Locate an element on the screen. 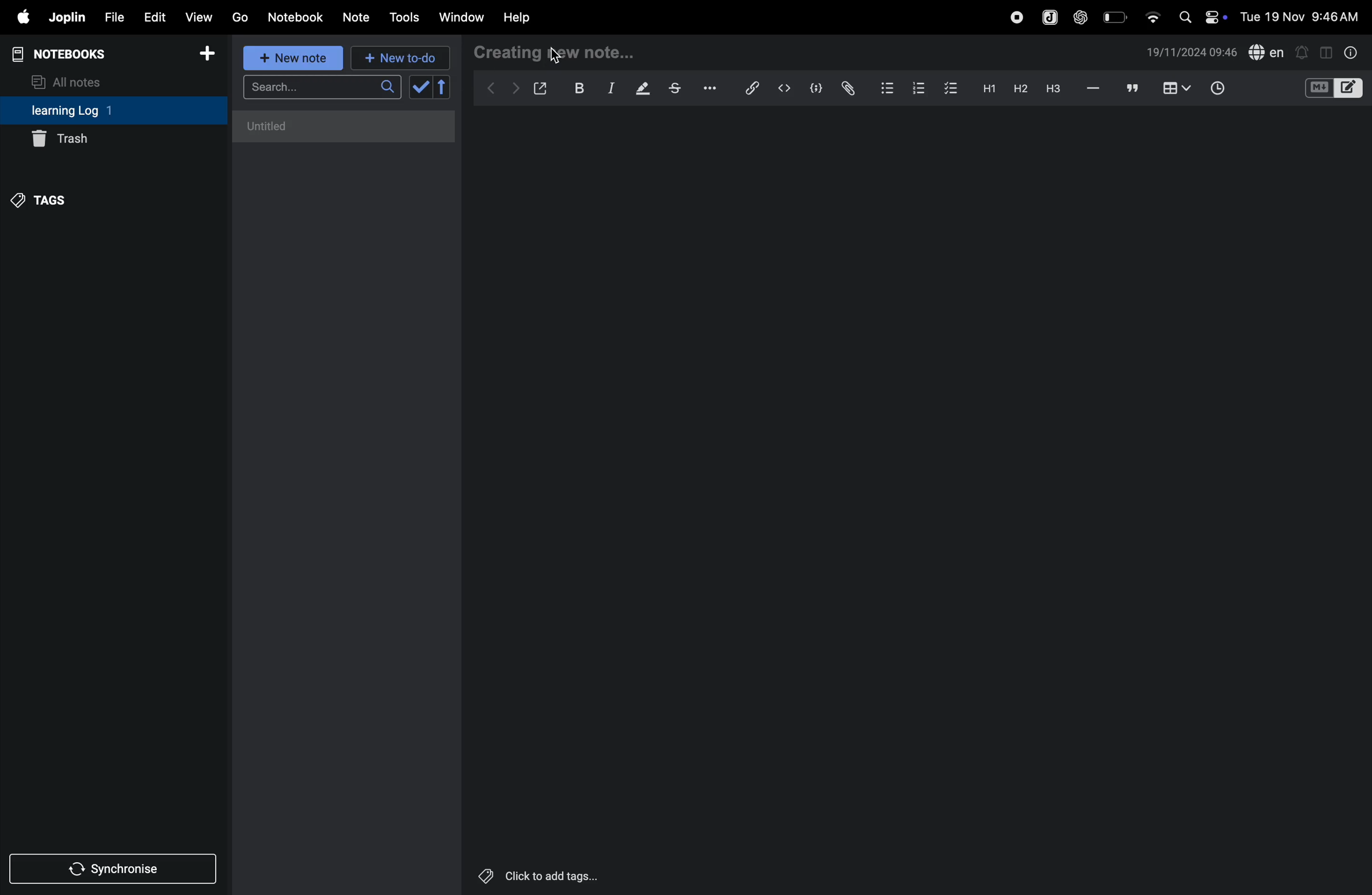 The width and height of the screenshot is (1372, 895). add is located at coordinates (208, 57).